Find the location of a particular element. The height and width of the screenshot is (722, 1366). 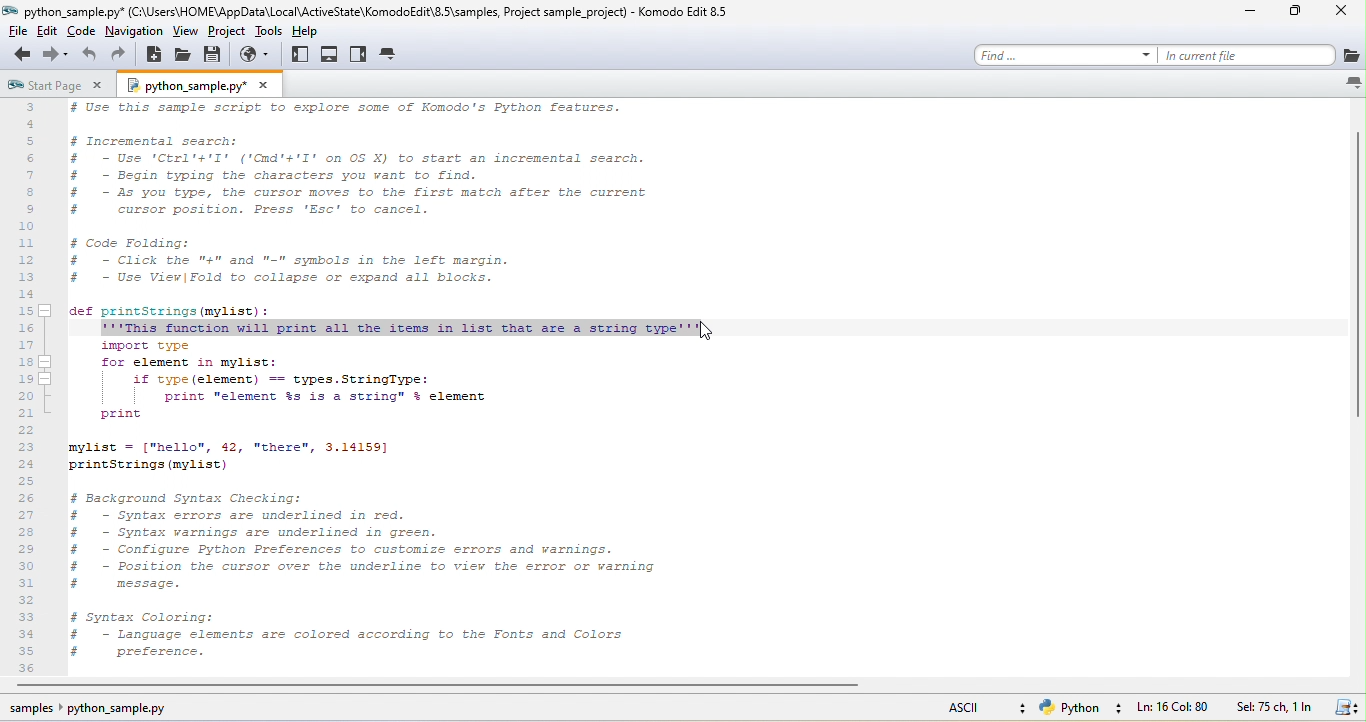

code text is located at coordinates (358, 210).